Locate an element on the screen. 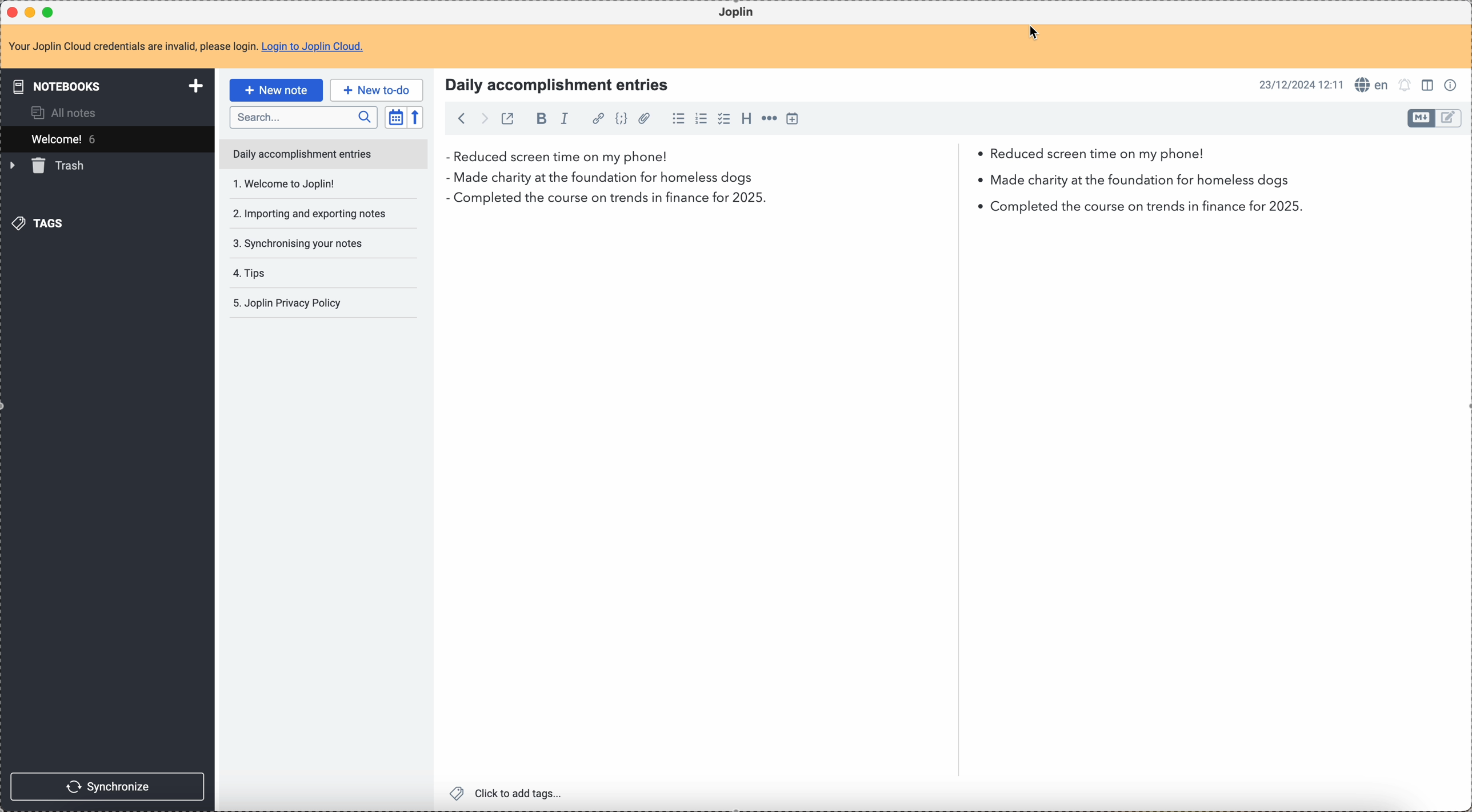 This screenshot has height=812, width=1472. spell checker is located at coordinates (1372, 85).